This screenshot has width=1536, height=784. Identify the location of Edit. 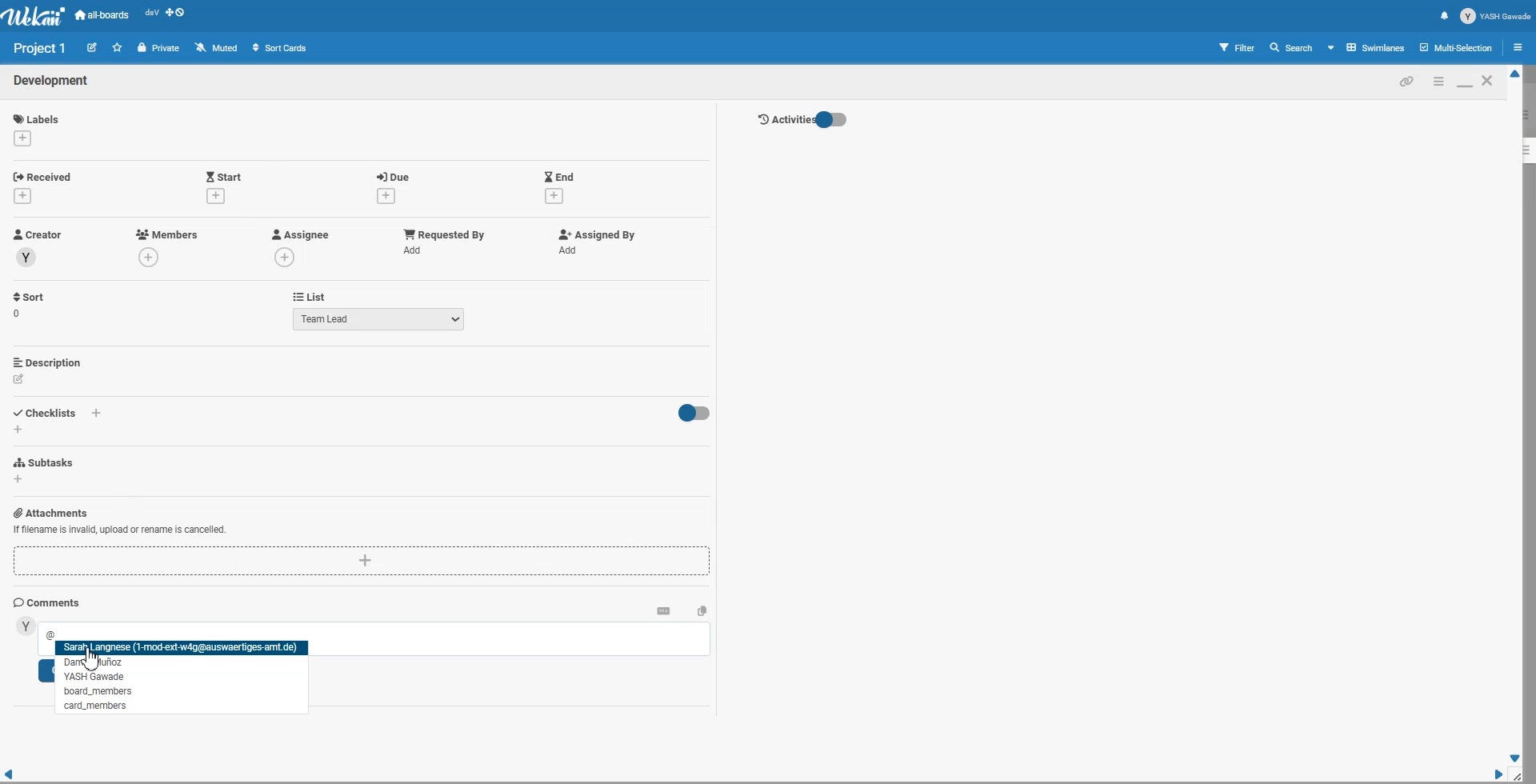
(92, 46).